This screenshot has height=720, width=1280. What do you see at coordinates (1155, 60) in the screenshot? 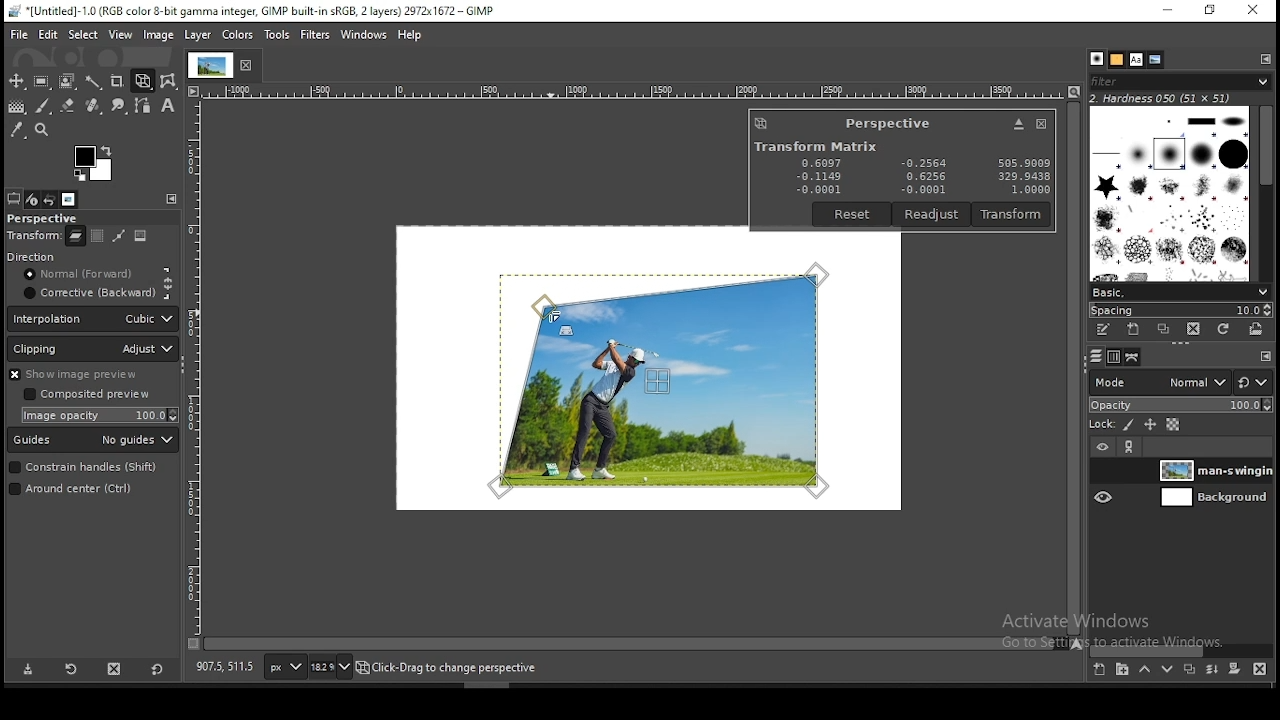
I see `document history` at bounding box center [1155, 60].